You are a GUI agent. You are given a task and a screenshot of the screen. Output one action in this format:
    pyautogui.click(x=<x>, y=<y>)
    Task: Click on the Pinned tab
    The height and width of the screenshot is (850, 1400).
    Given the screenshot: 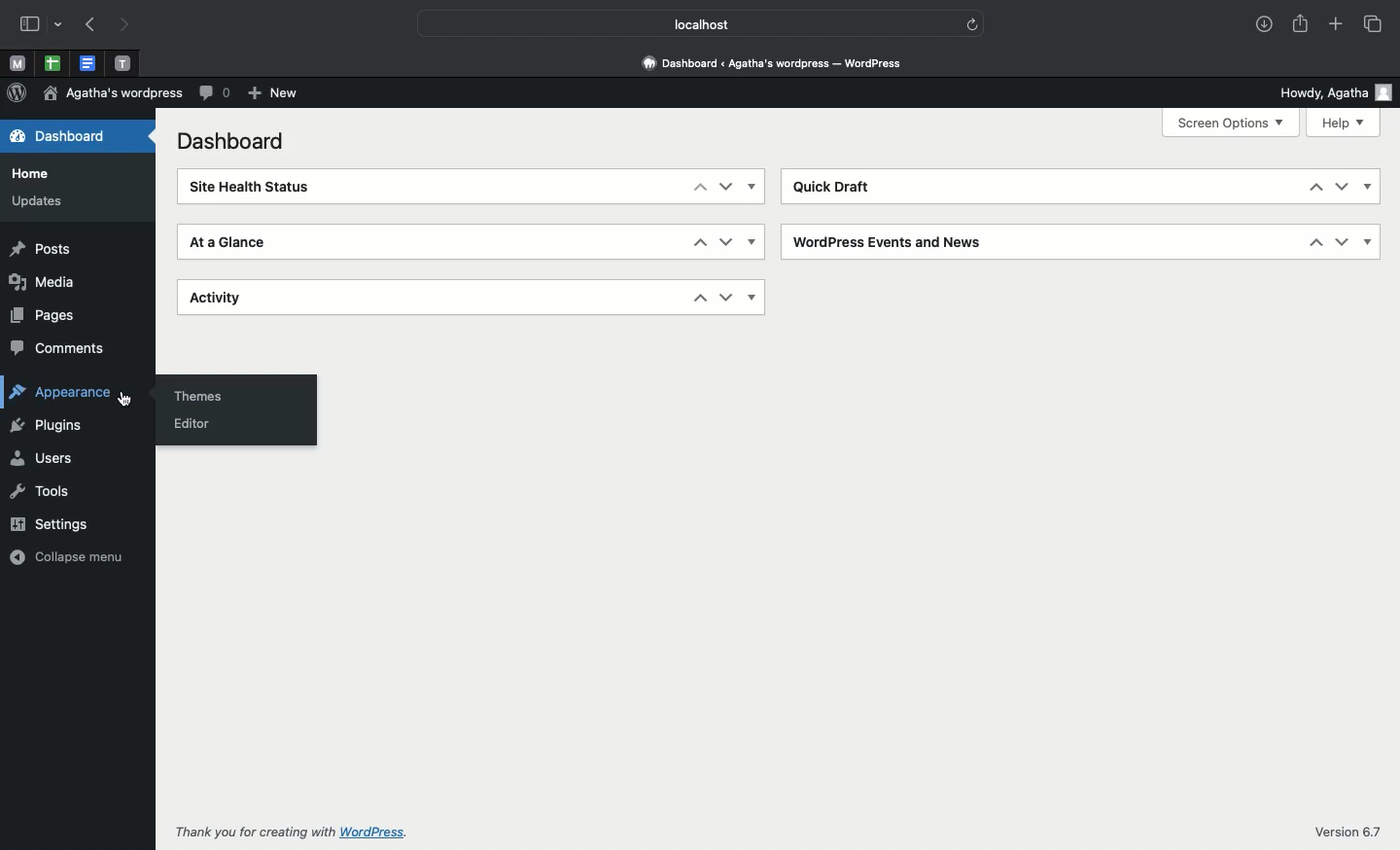 What is the action you would take?
    pyautogui.click(x=89, y=64)
    